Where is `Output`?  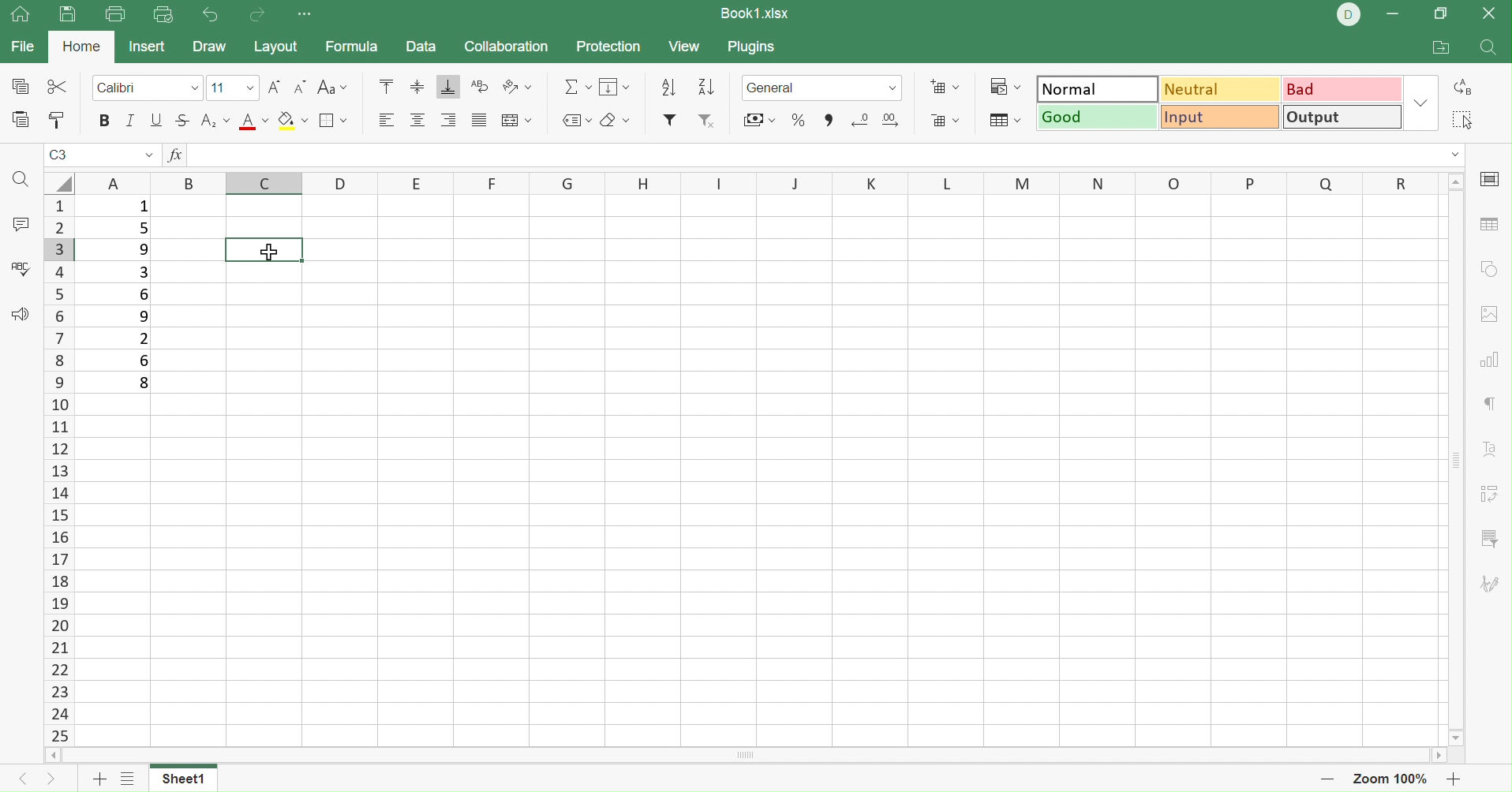
Output is located at coordinates (1342, 118).